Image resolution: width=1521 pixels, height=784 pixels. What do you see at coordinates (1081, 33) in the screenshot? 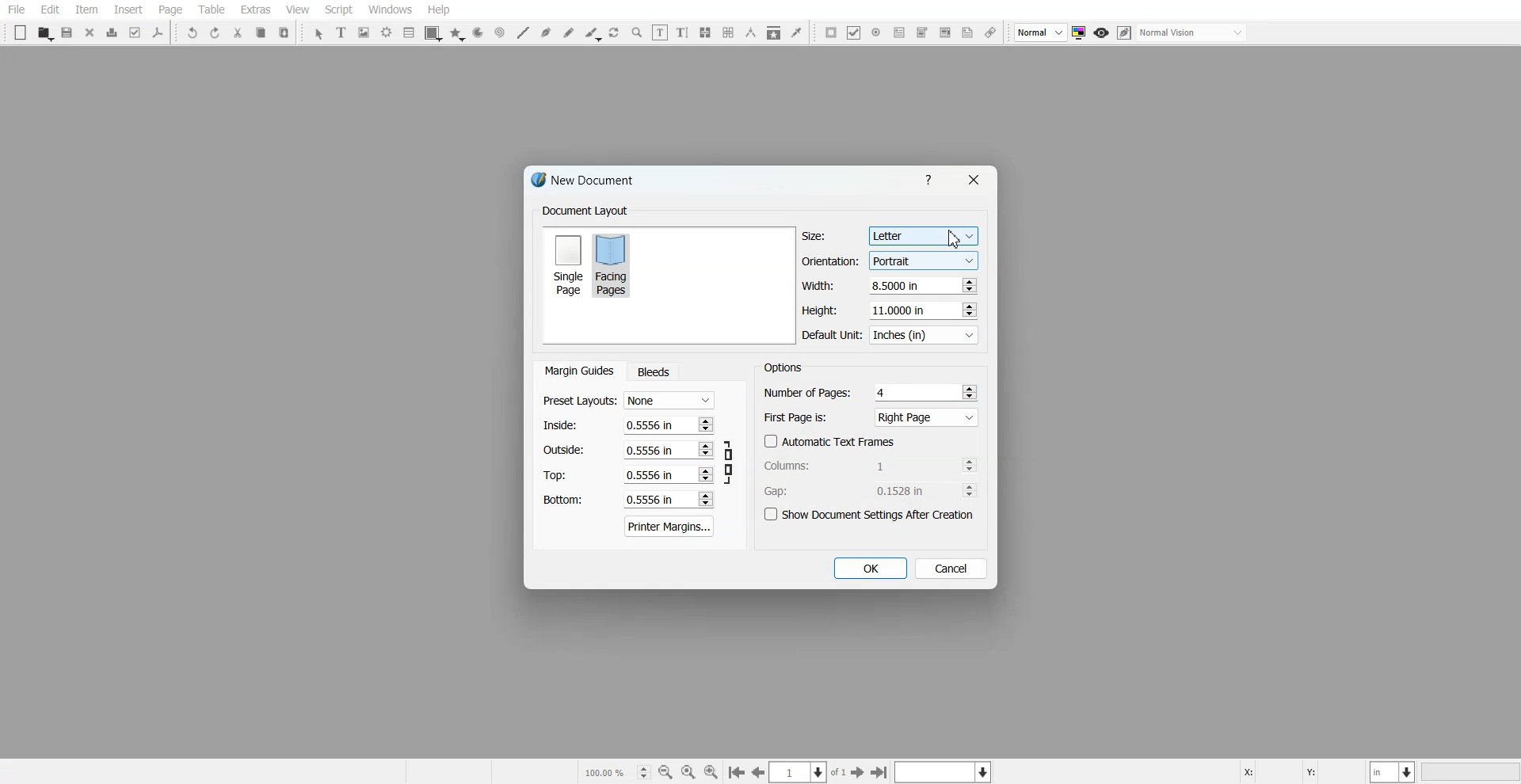
I see `Toggle color ` at bounding box center [1081, 33].